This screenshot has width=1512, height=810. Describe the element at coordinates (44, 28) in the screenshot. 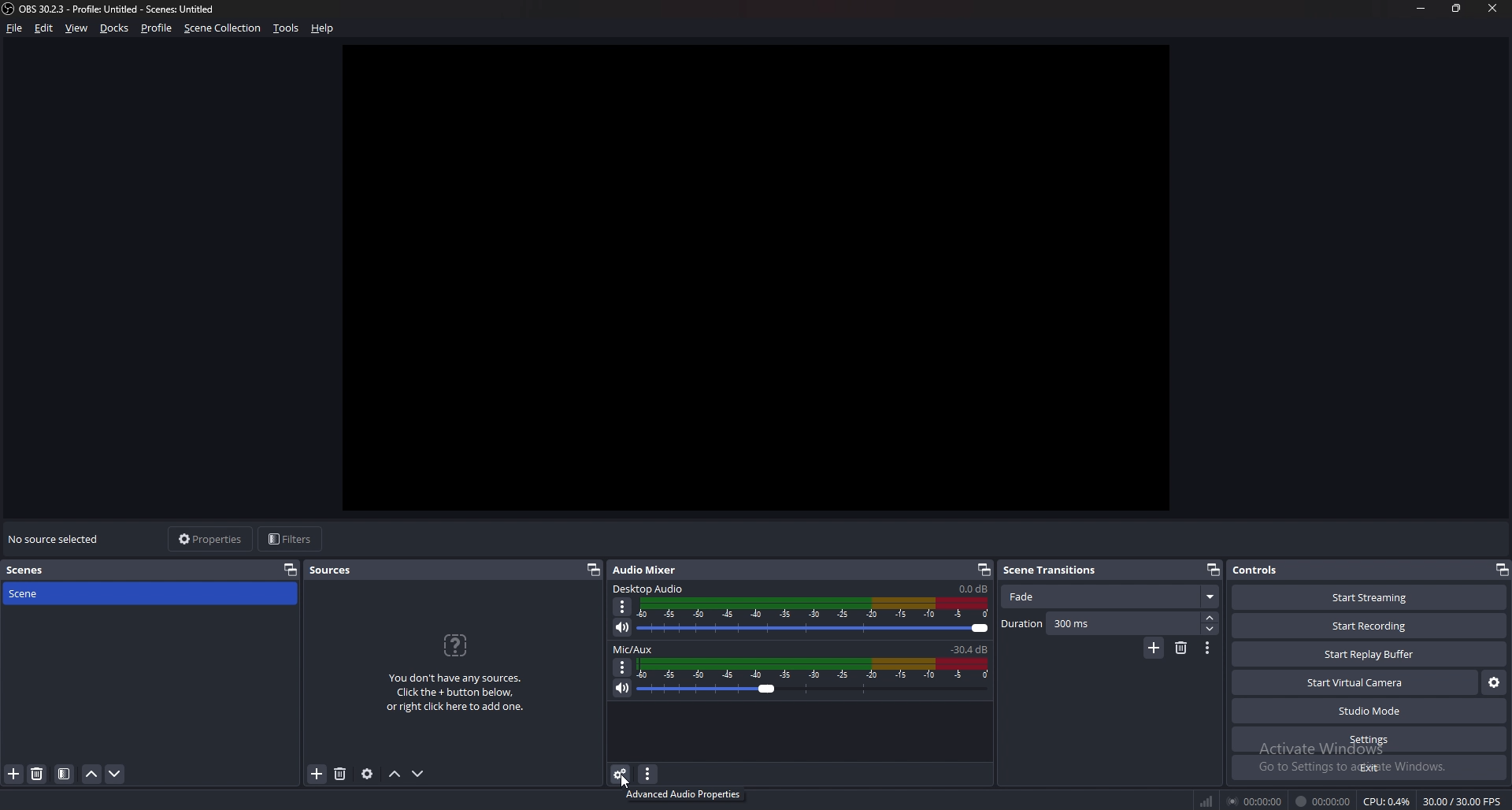

I see `edit` at that location.